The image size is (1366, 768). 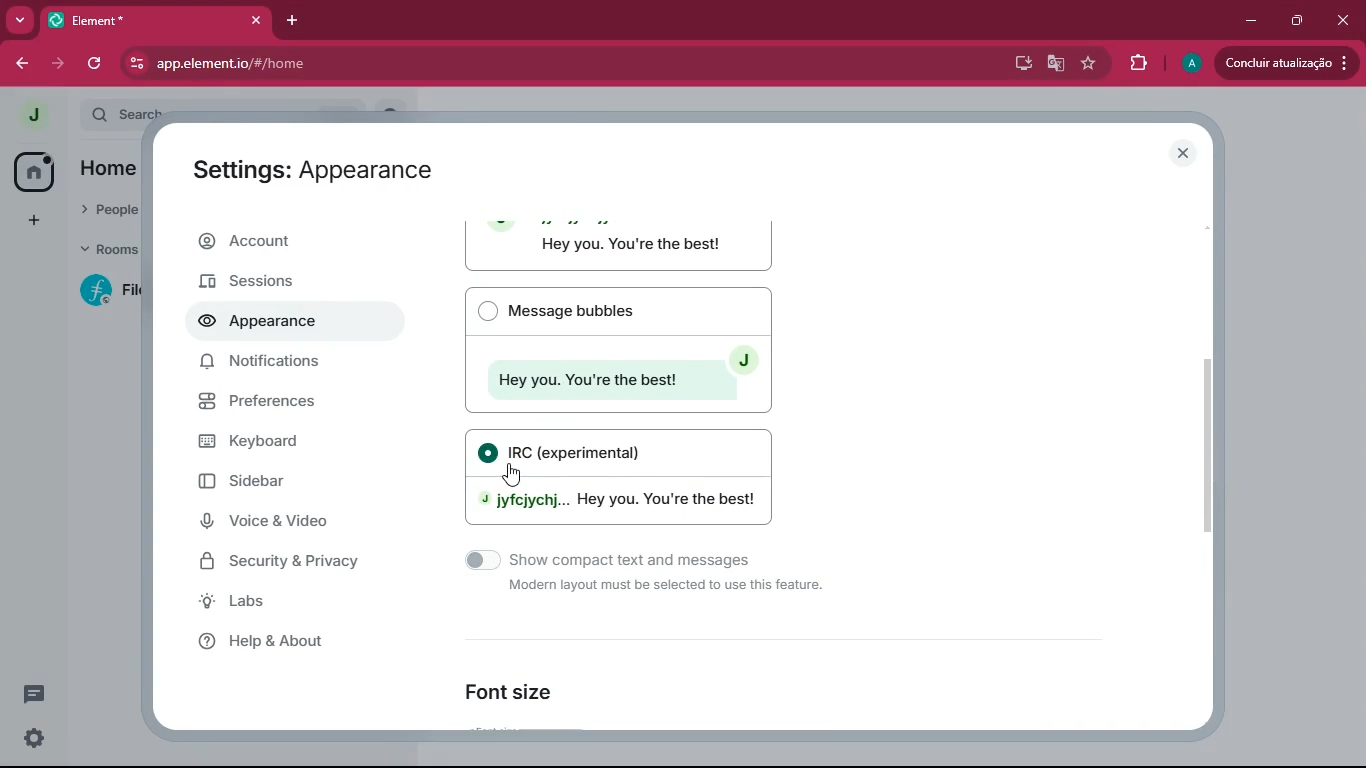 What do you see at coordinates (294, 20) in the screenshot?
I see `add tab` at bounding box center [294, 20].